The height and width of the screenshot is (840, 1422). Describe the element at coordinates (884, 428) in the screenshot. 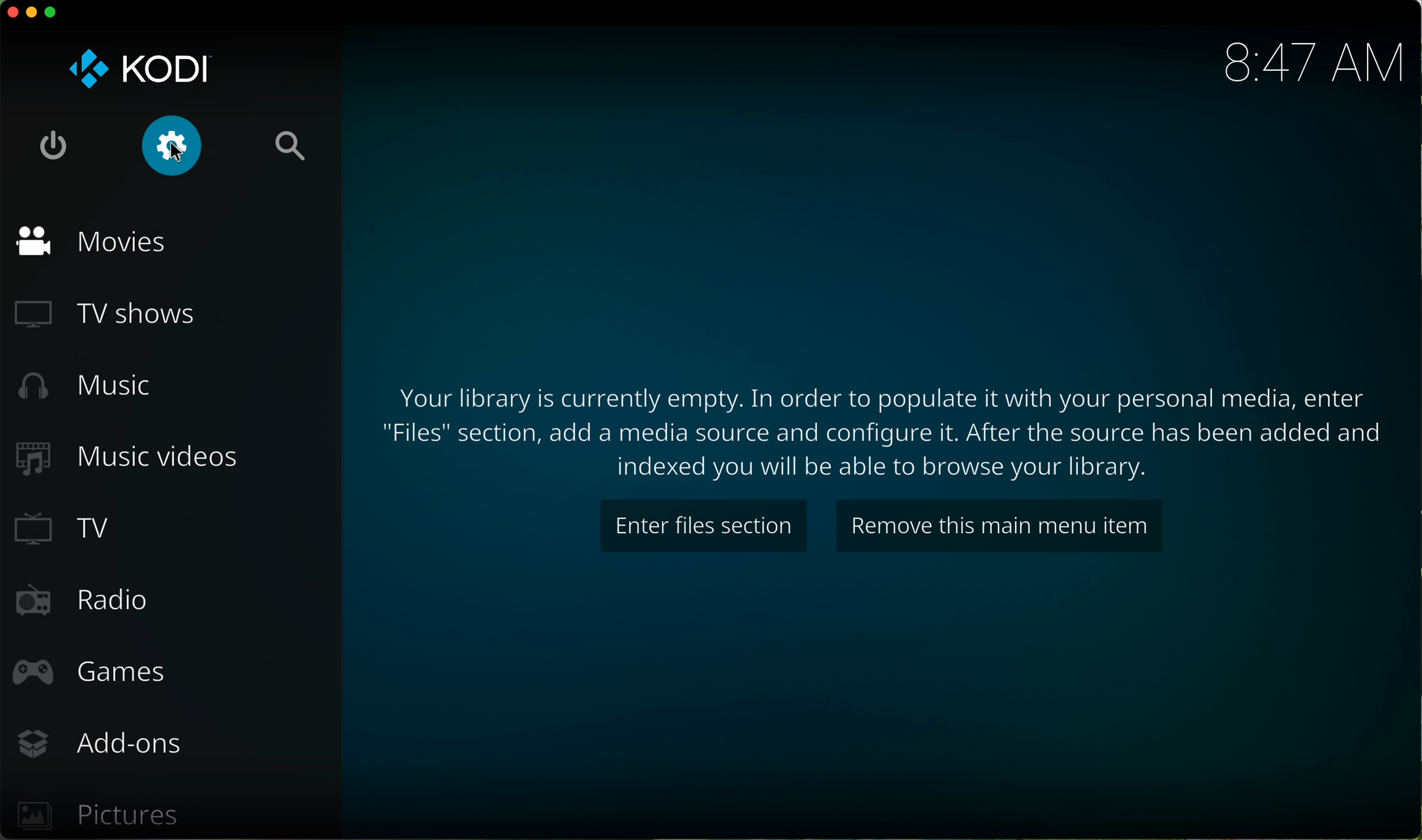

I see `note` at that location.